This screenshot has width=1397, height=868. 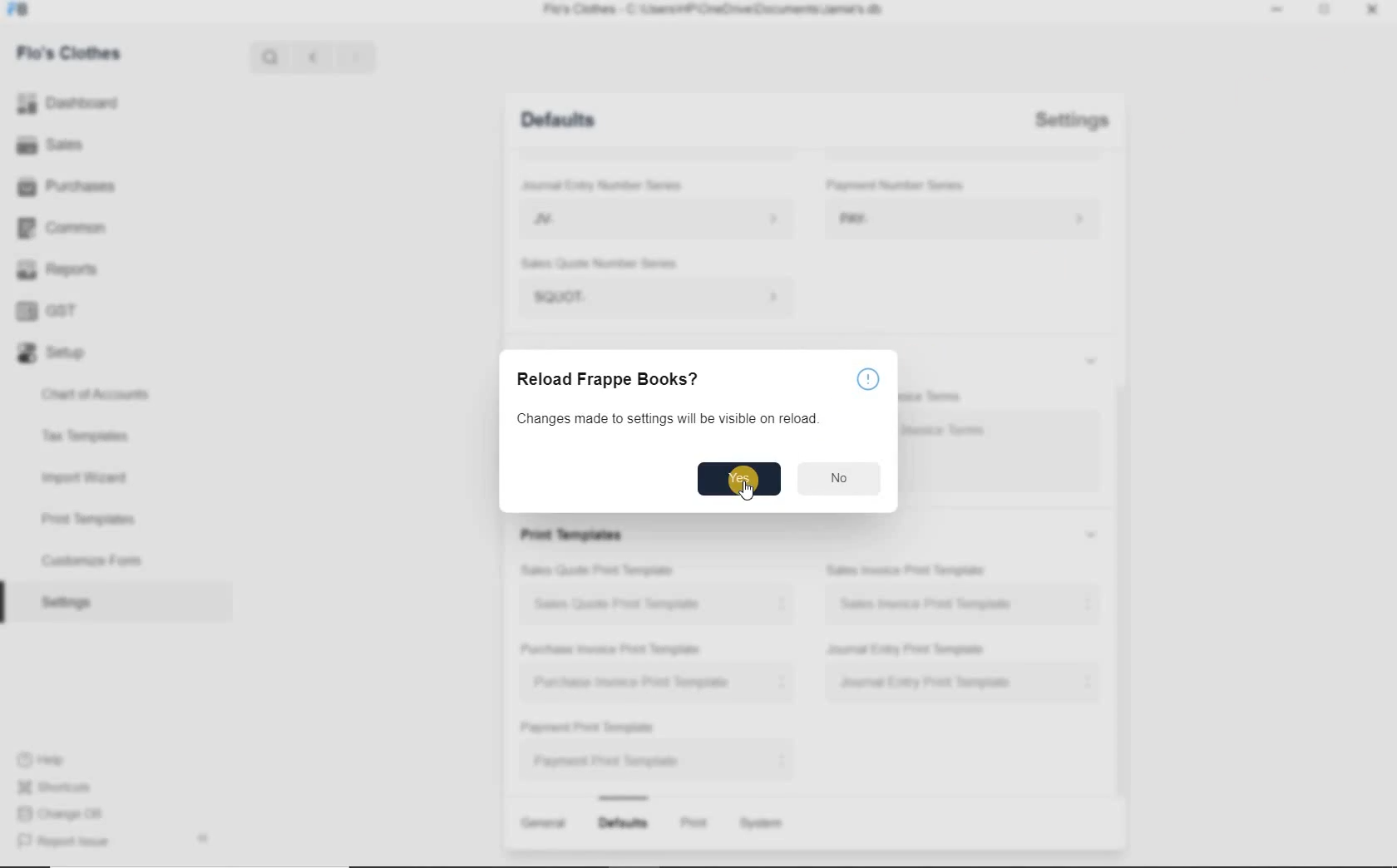 What do you see at coordinates (62, 816) in the screenshot?
I see `Change DB` at bounding box center [62, 816].